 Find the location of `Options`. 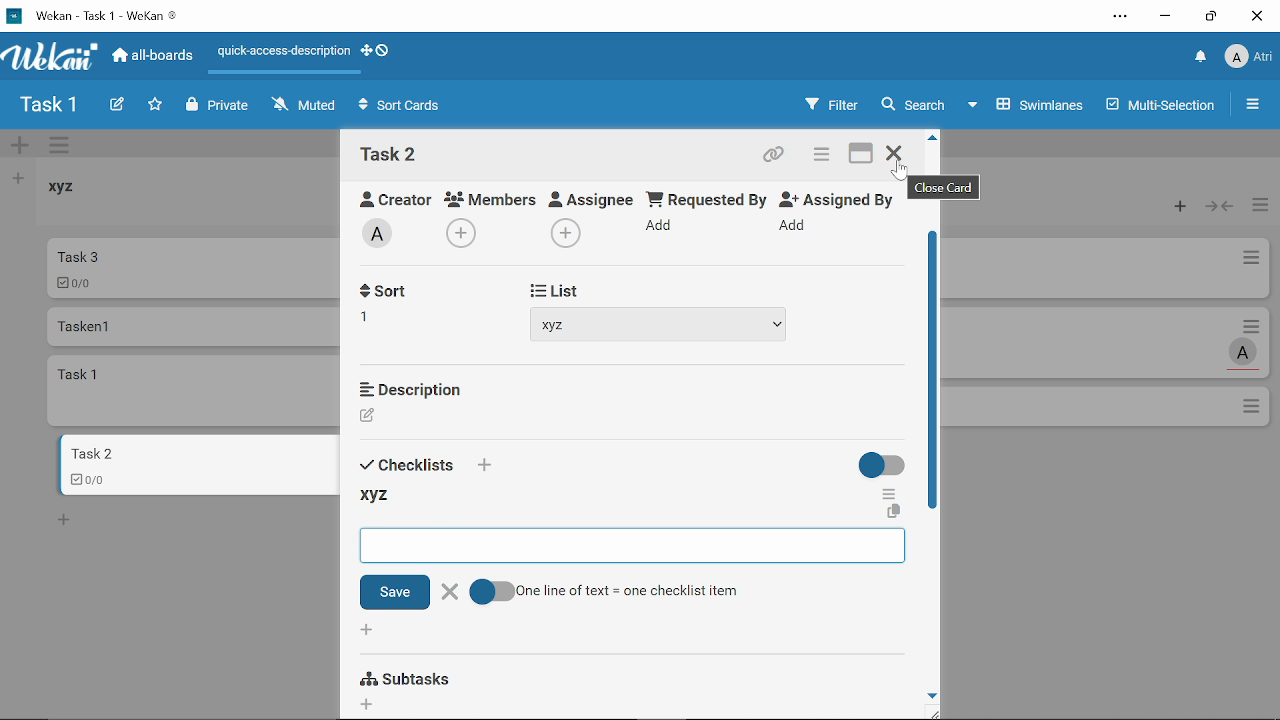

Options is located at coordinates (1253, 408).